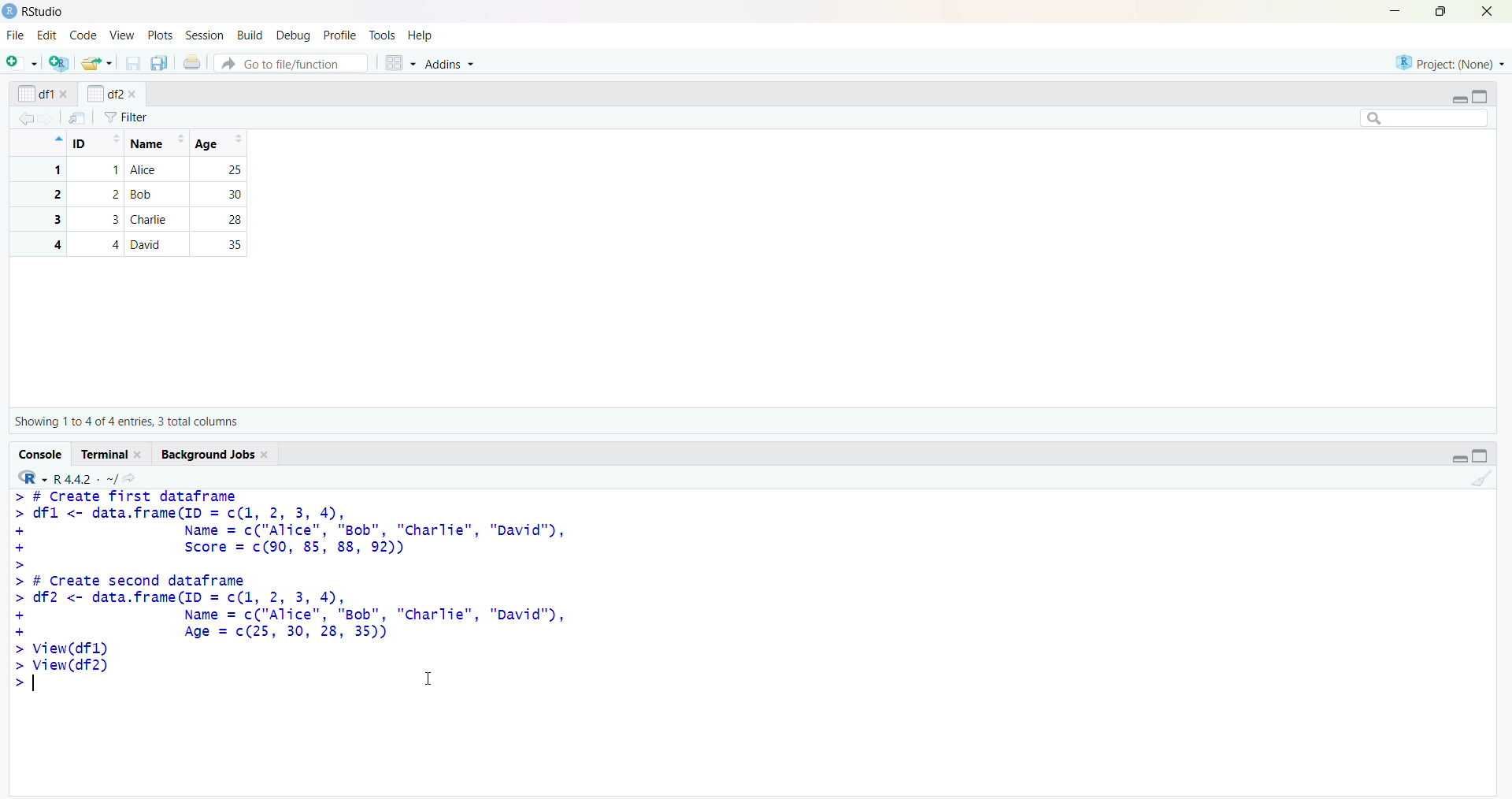 This screenshot has height=799, width=1512. I want to click on age, so click(222, 143).